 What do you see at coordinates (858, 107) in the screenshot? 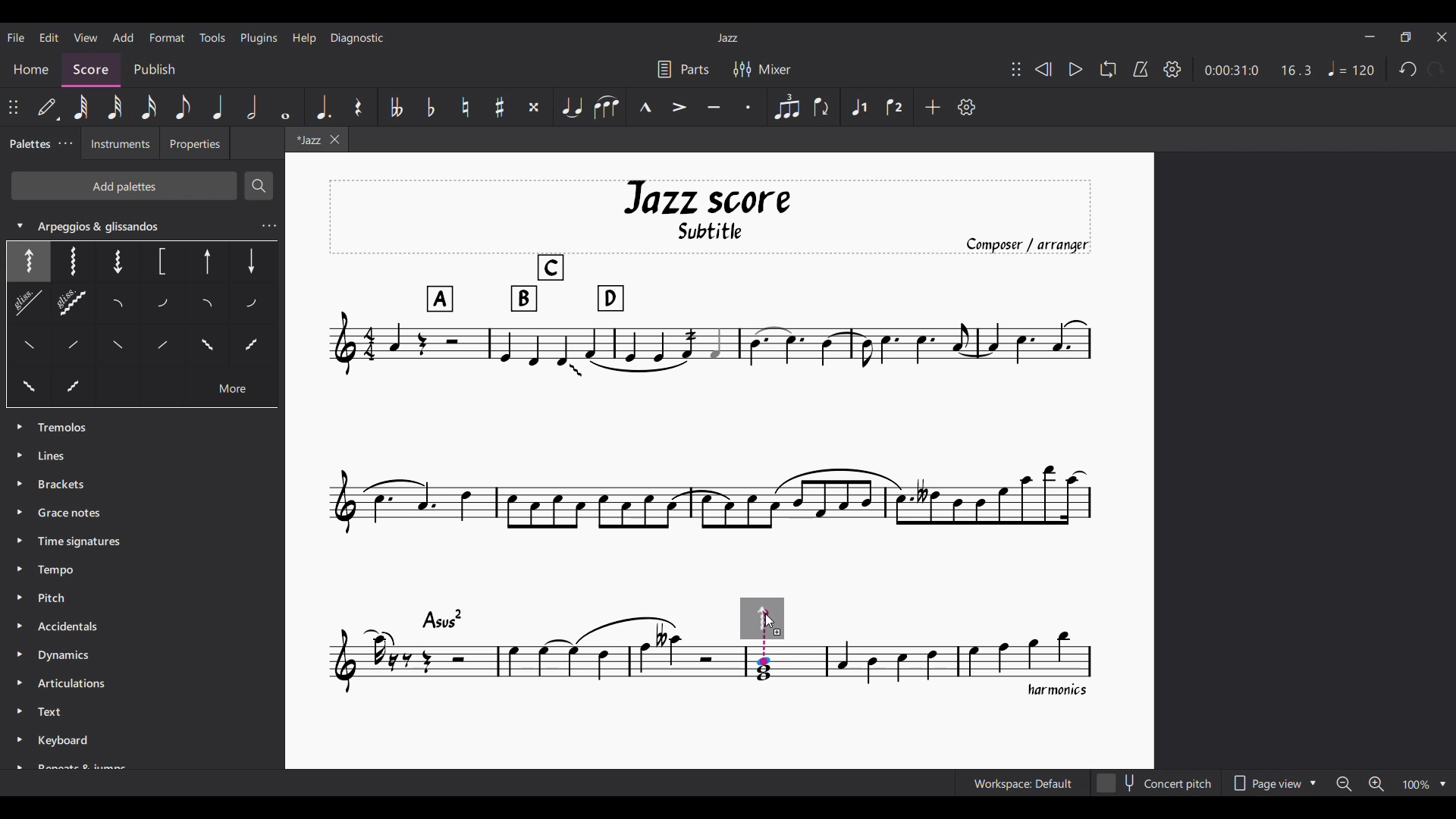
I see `Voice 1` at bounding box center [858, 107].